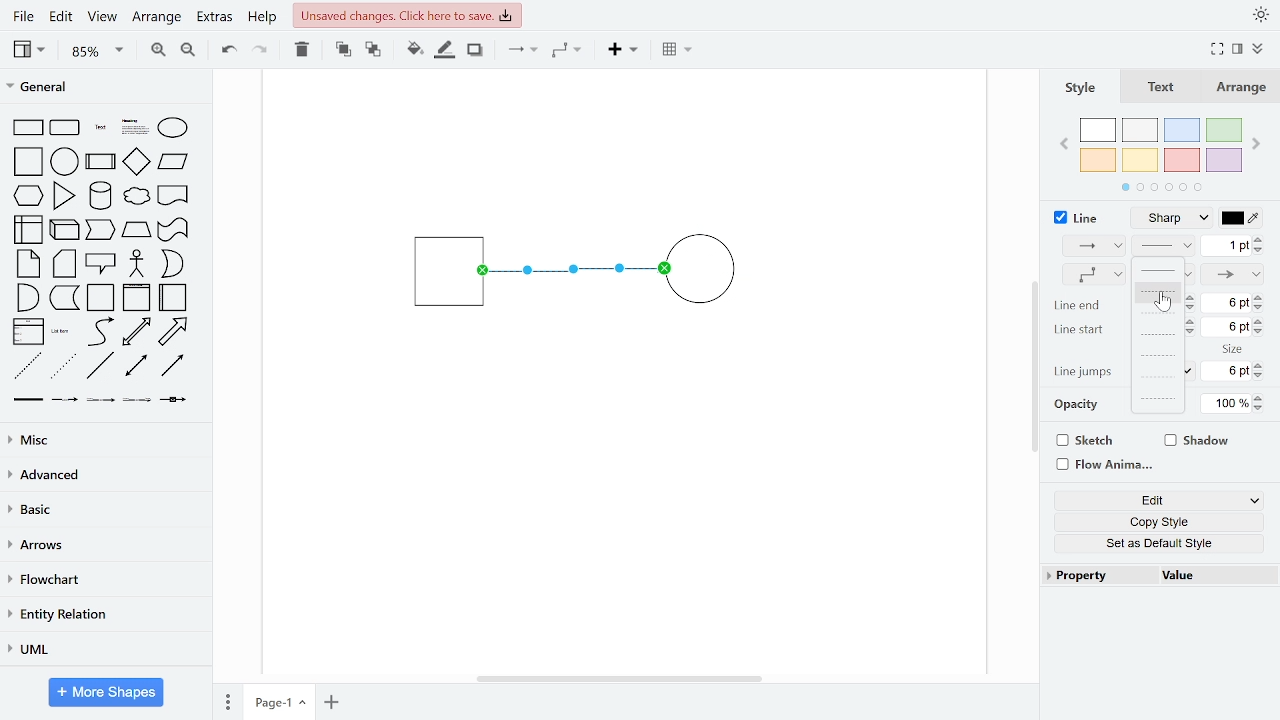 Image resolution: width=1280 pixels, height=720 pixels. I want to click on to front, so click(343, 50).